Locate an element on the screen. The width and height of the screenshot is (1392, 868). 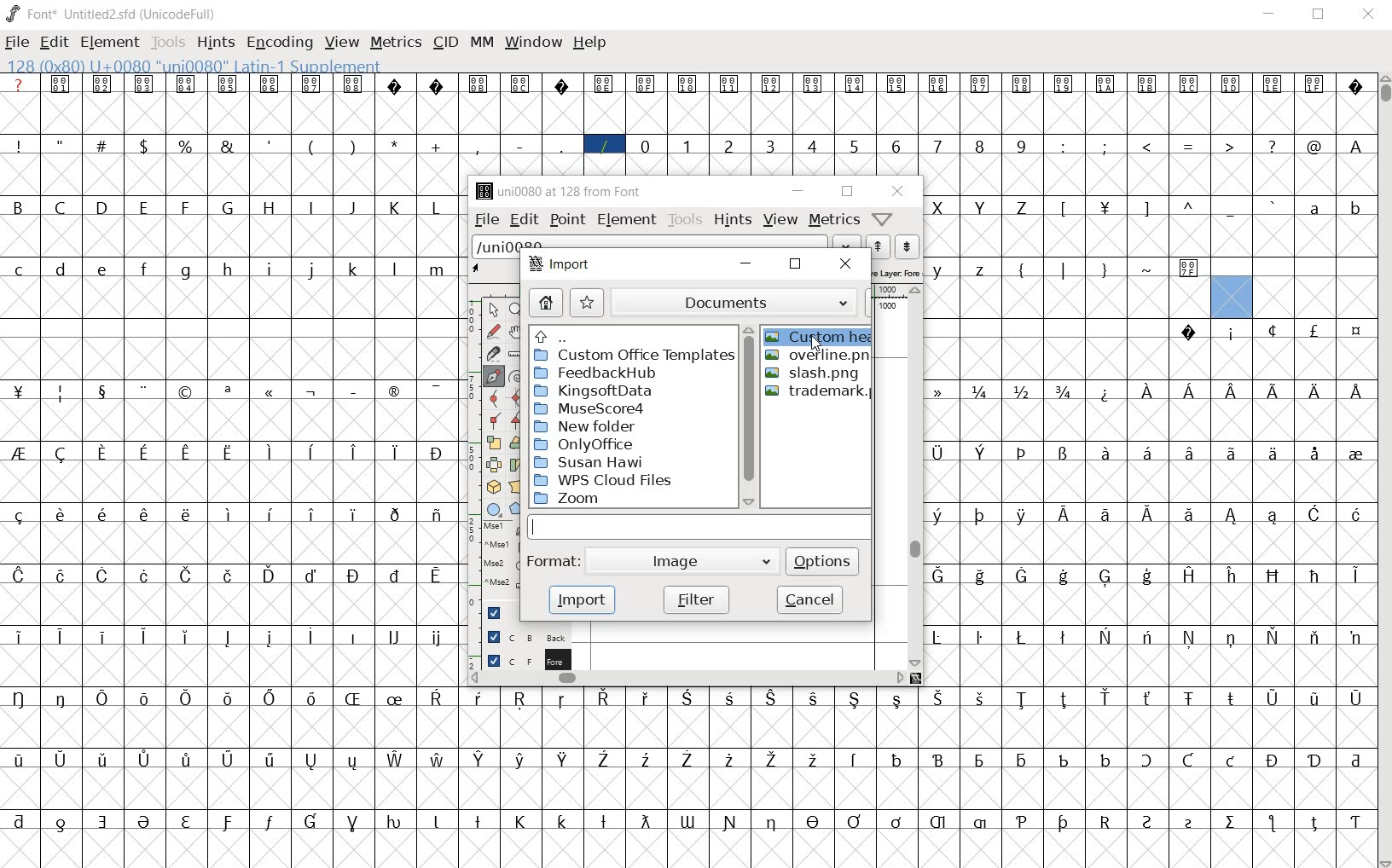
glyph is located at coordinates (312, 576).